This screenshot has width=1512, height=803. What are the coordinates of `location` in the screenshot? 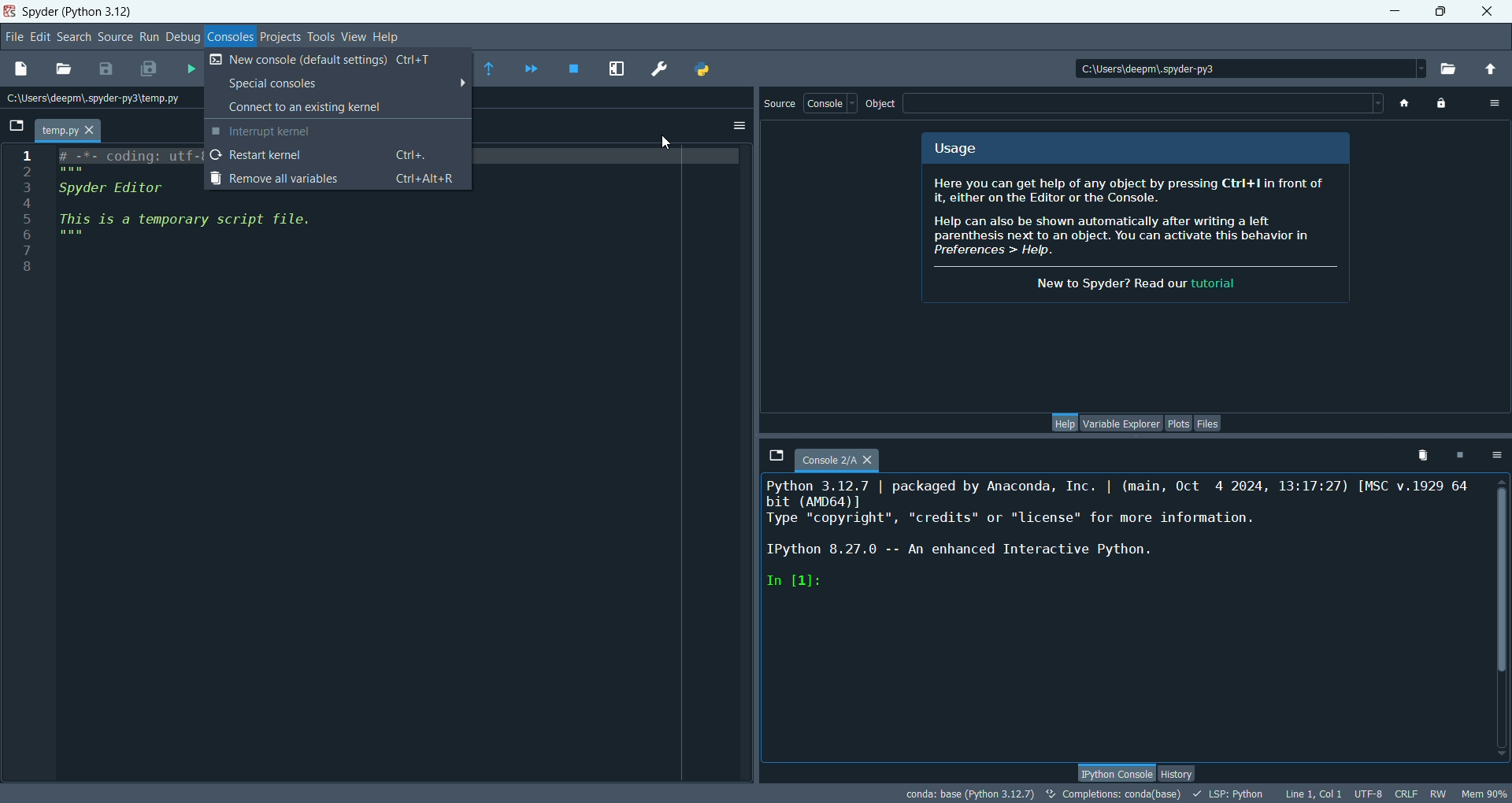 It's located at (94, 98).